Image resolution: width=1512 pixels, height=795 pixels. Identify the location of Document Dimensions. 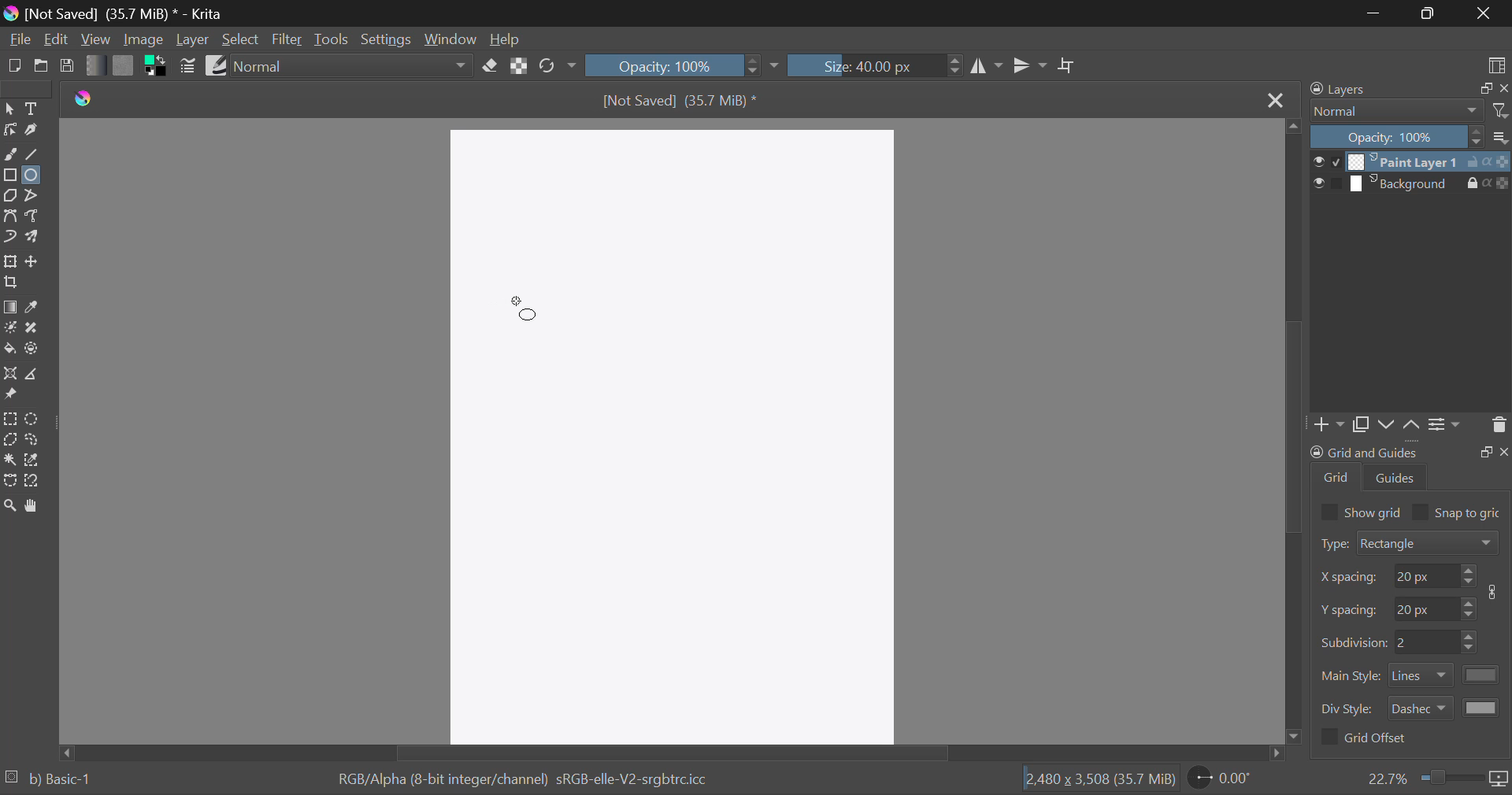
(1096, 780).